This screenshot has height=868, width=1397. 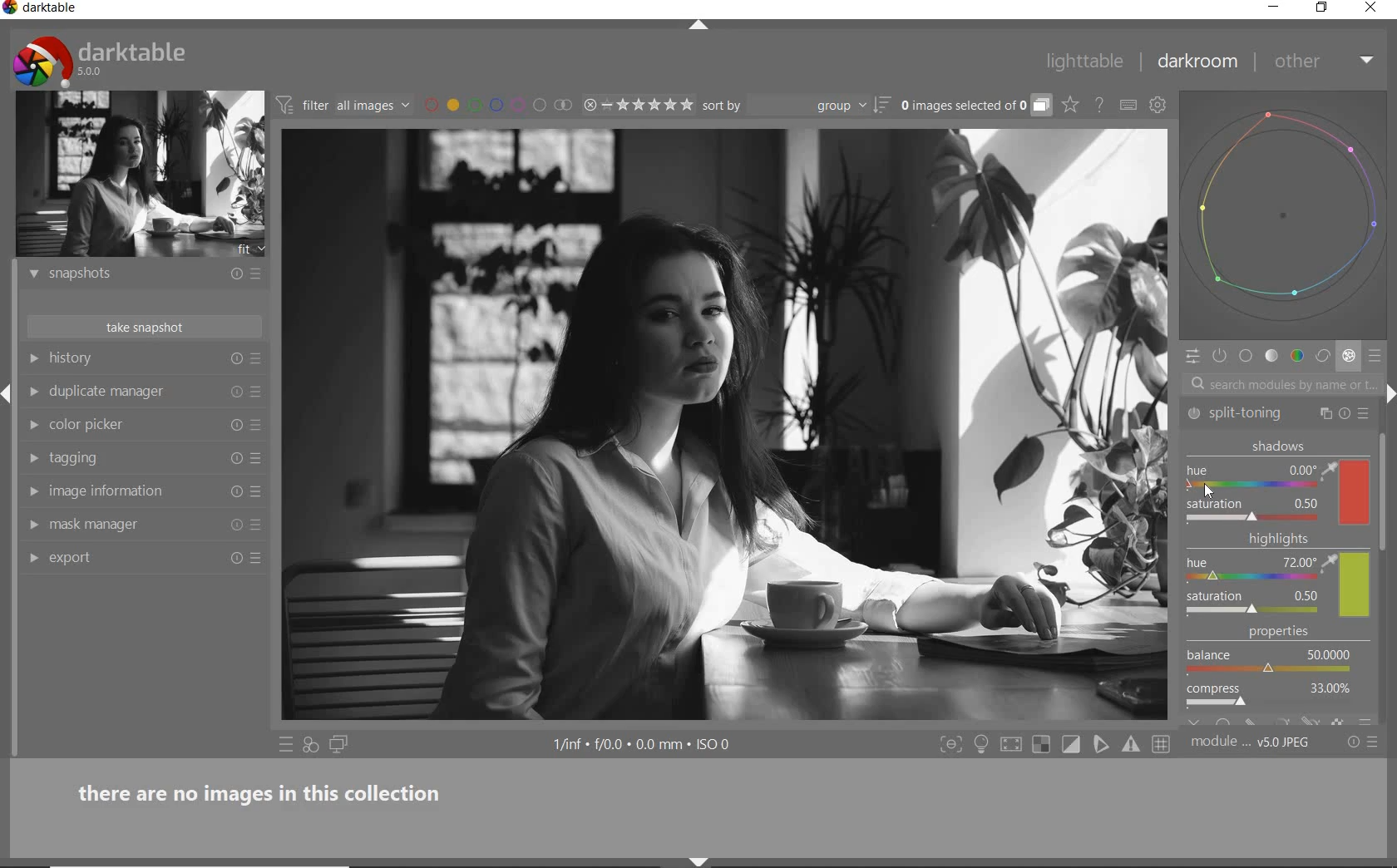 What do you see at coordinates (257, 492) in the screenshot?
I see `preset and preferences` at bounding box center [257, 492].